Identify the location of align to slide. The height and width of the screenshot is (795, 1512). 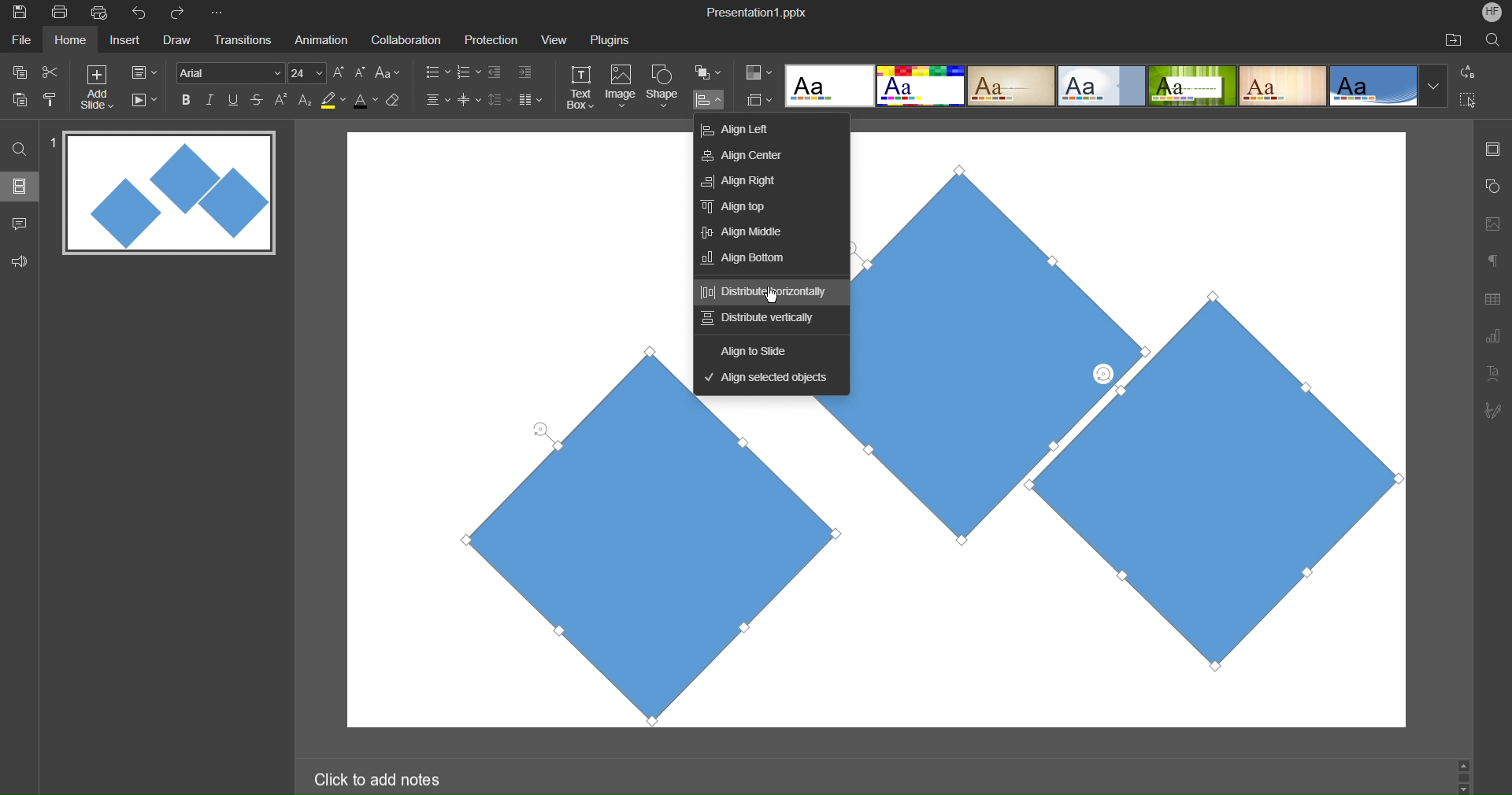
(764, 348).